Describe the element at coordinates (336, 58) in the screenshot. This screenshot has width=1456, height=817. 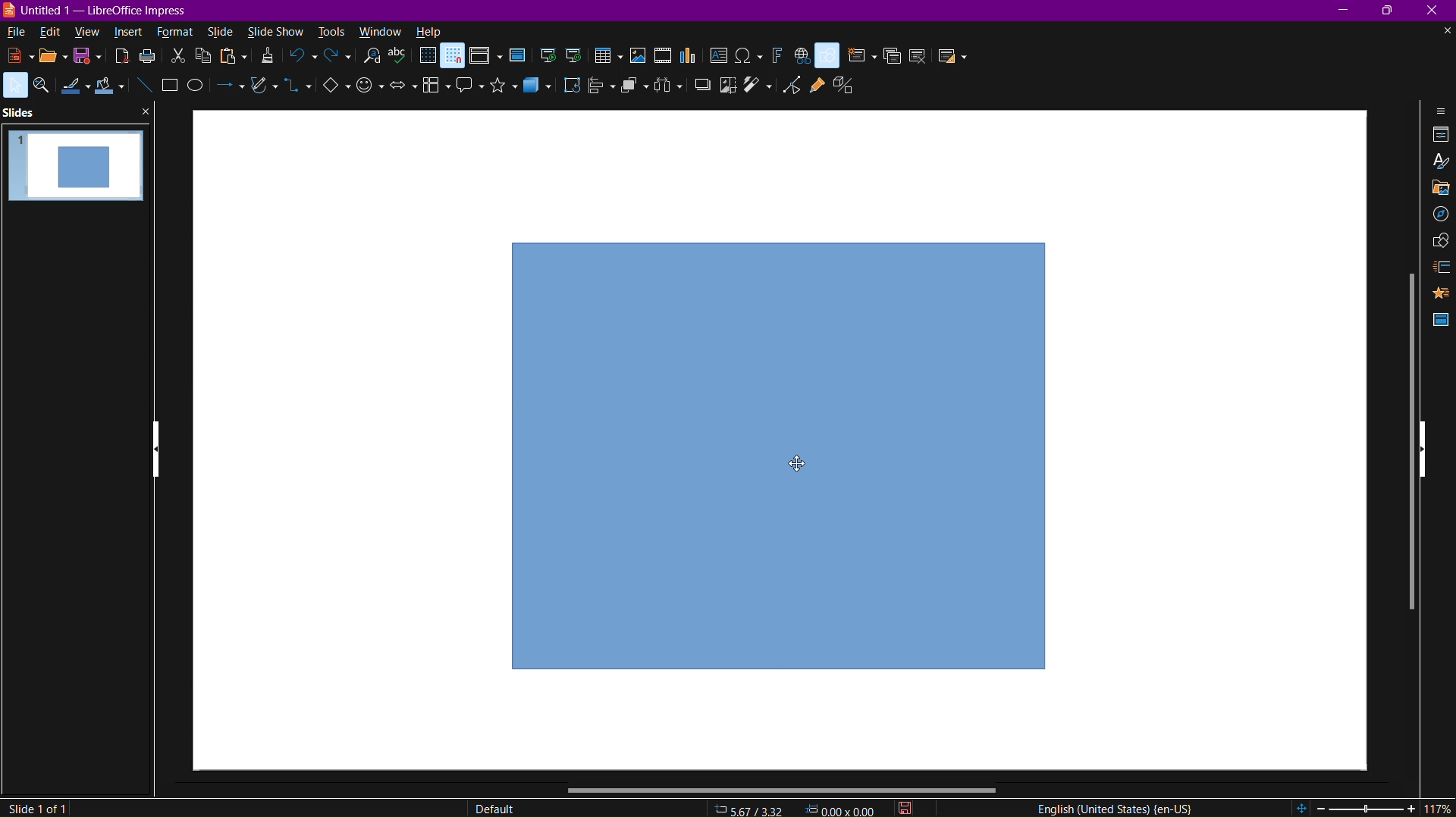
I see `Redo` at that location.